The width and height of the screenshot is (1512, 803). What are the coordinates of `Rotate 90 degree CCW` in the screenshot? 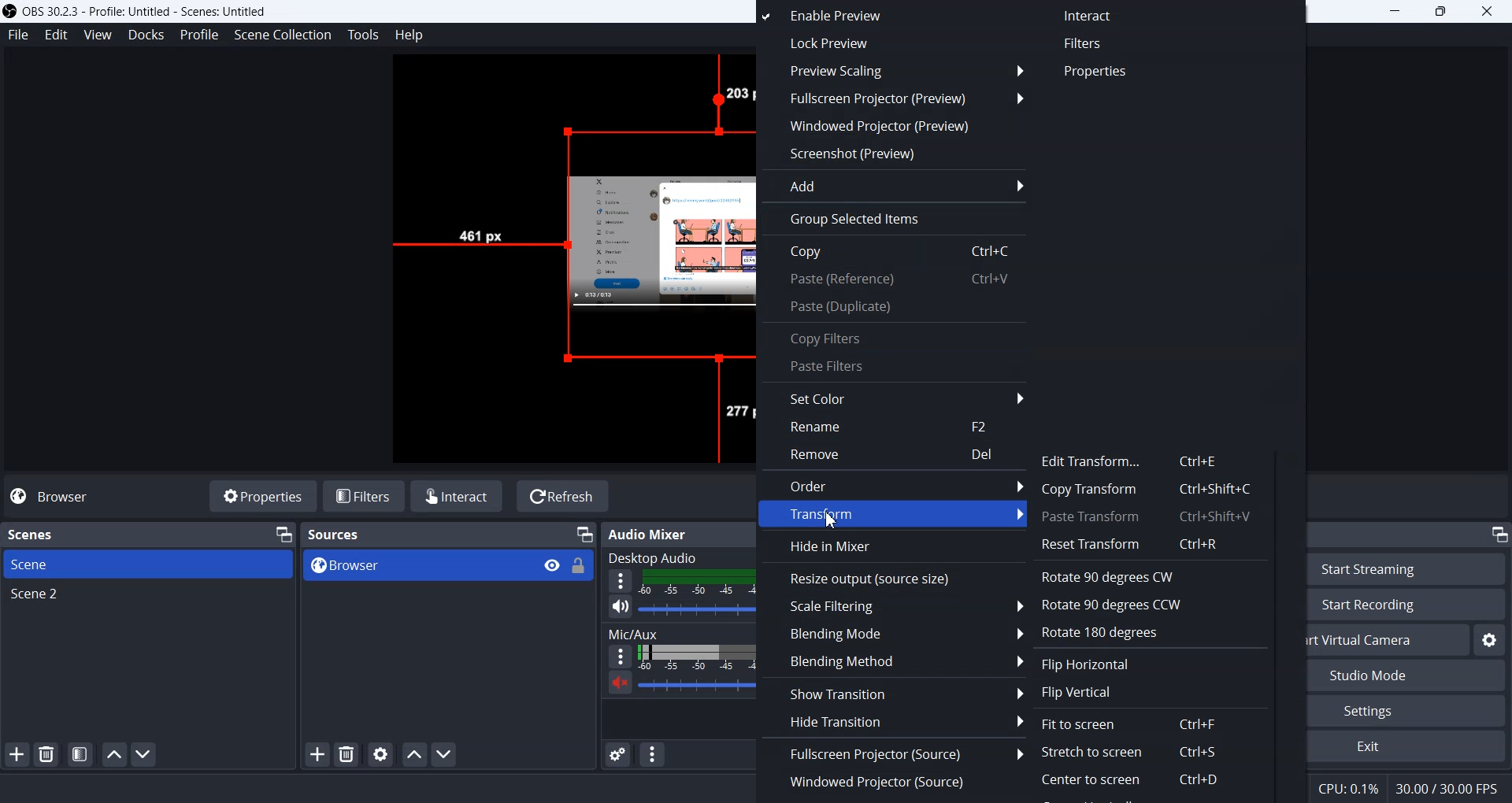 It's located at (1149, 605).